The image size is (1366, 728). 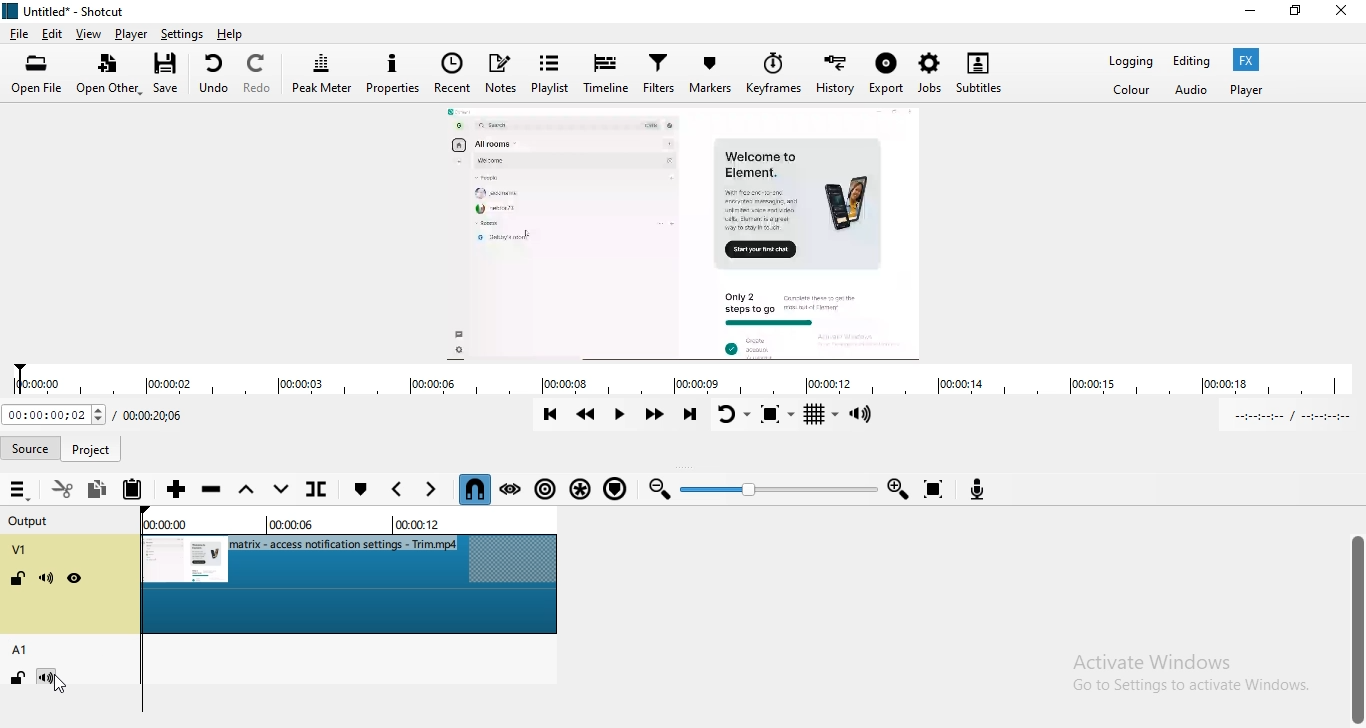 I want to click on cursor, so click(x=64, y=685).